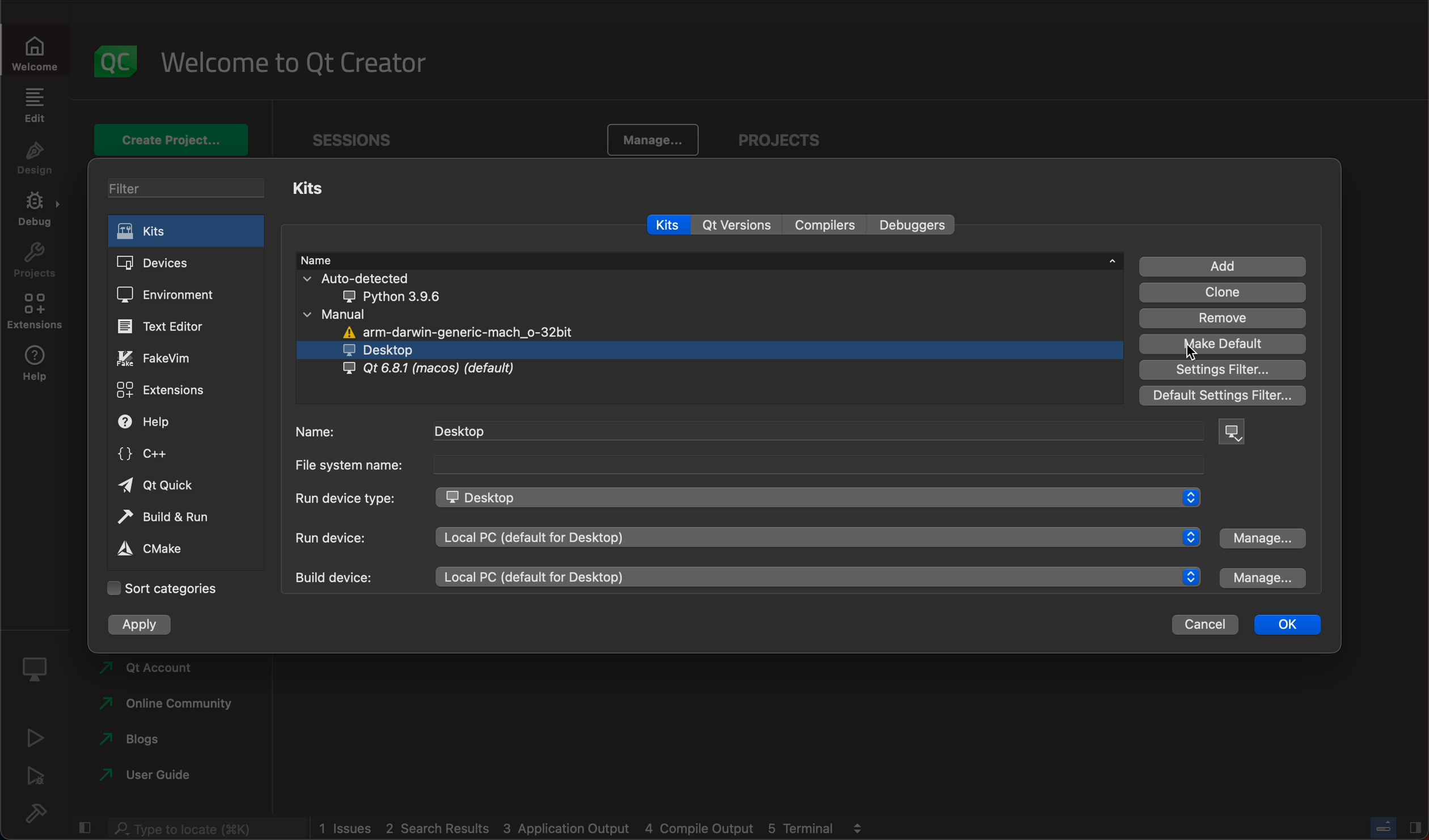  I want to click on run, so click(38, 736).